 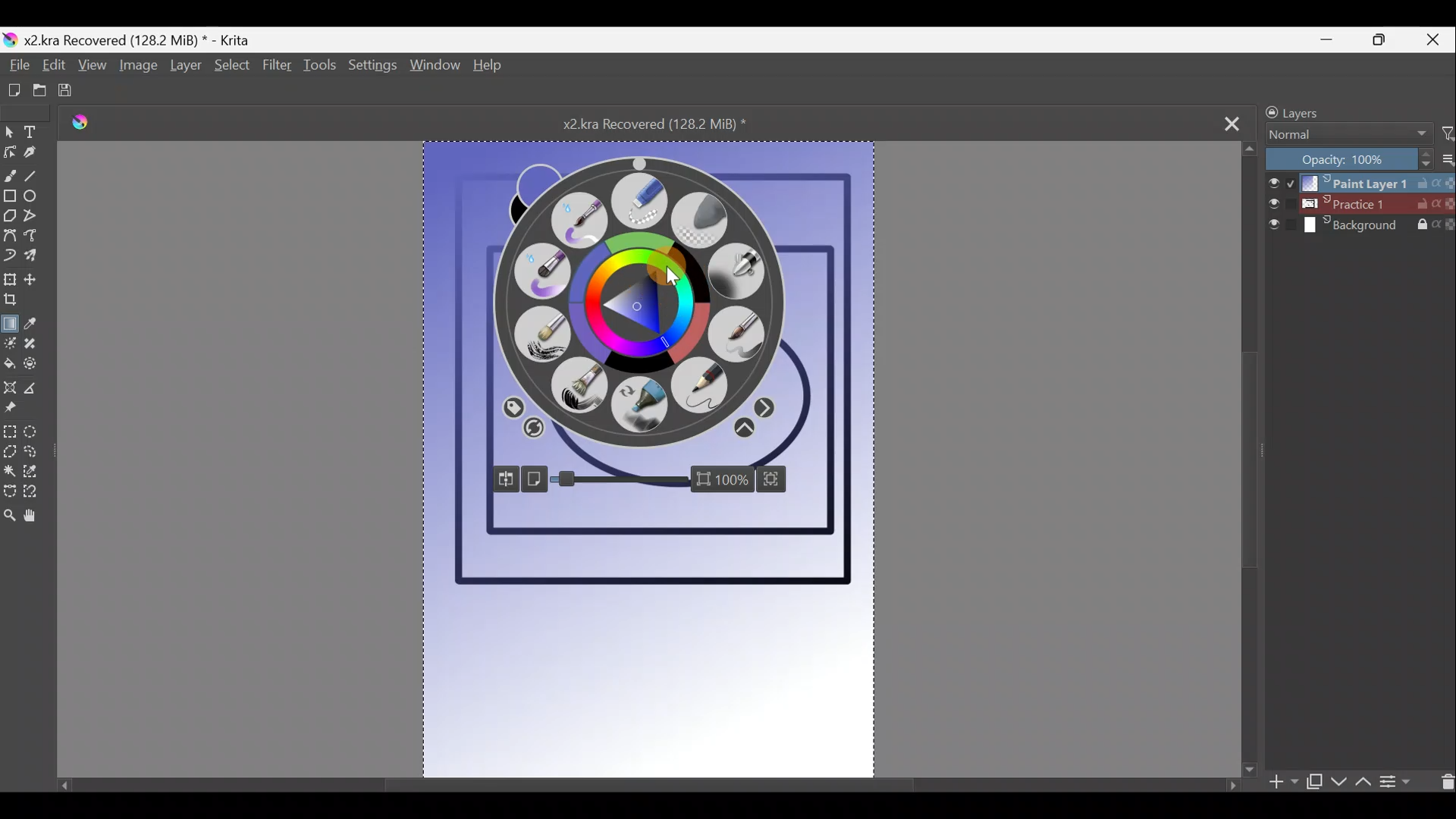 I want to click on Cursor, so click(x=665, y=263).